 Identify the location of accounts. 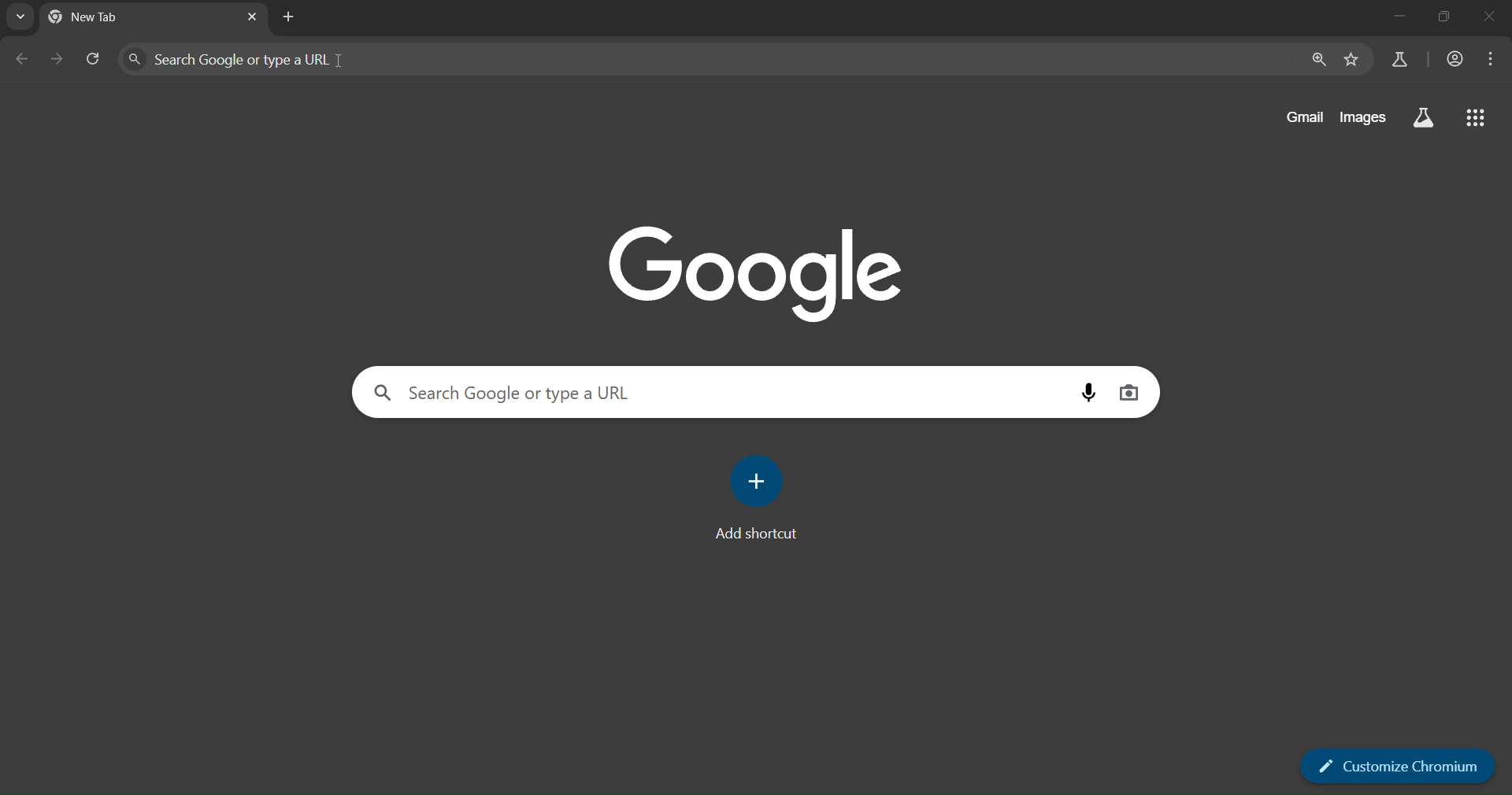
(1457, 59).